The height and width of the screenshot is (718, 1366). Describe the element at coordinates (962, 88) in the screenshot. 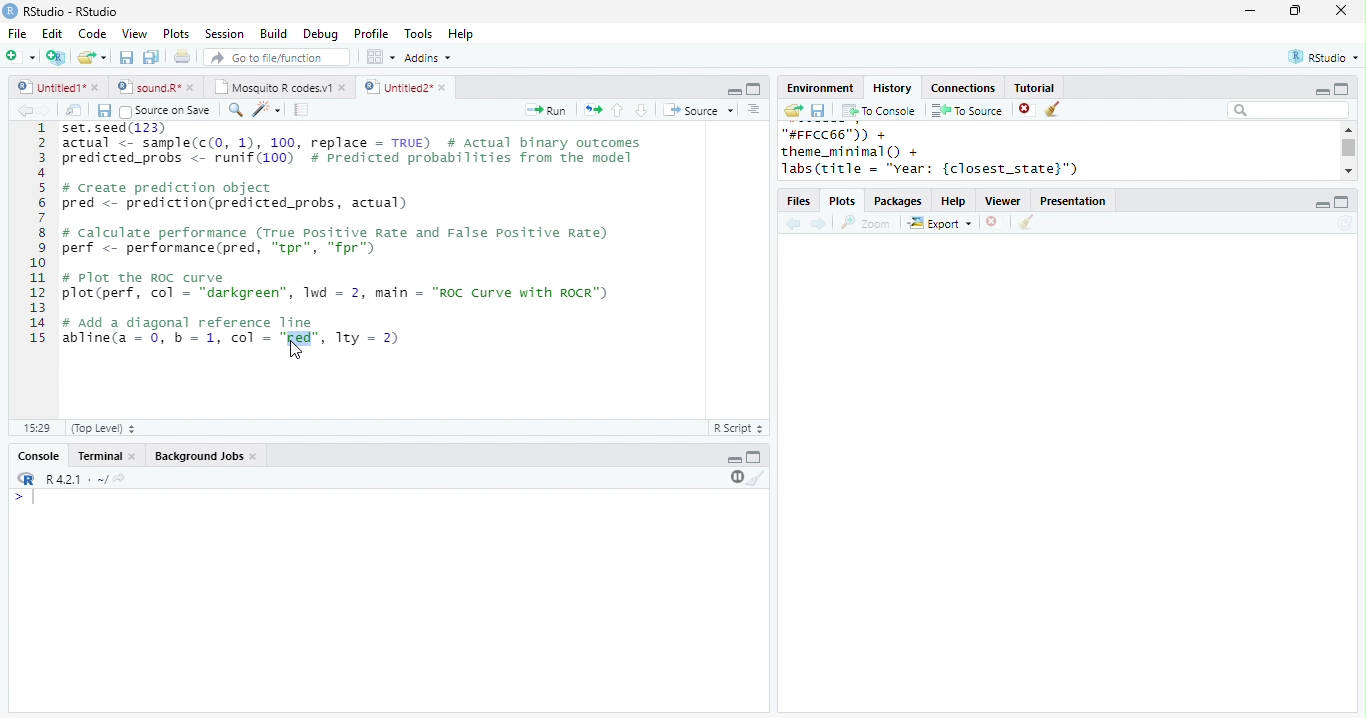

I see `Connections` at that location.